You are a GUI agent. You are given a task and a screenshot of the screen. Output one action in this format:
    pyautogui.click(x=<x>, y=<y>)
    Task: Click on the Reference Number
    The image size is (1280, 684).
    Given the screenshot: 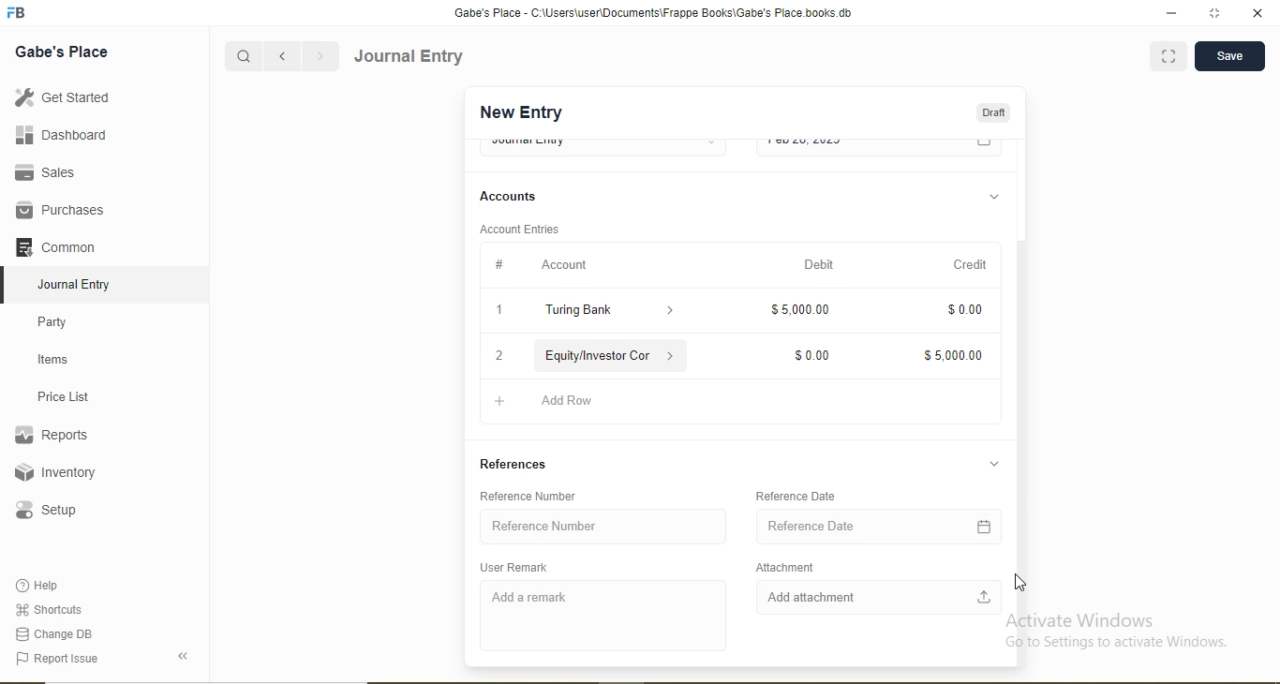 What is the action you would take?
    pyautogui.click(x=527, y=496)
    